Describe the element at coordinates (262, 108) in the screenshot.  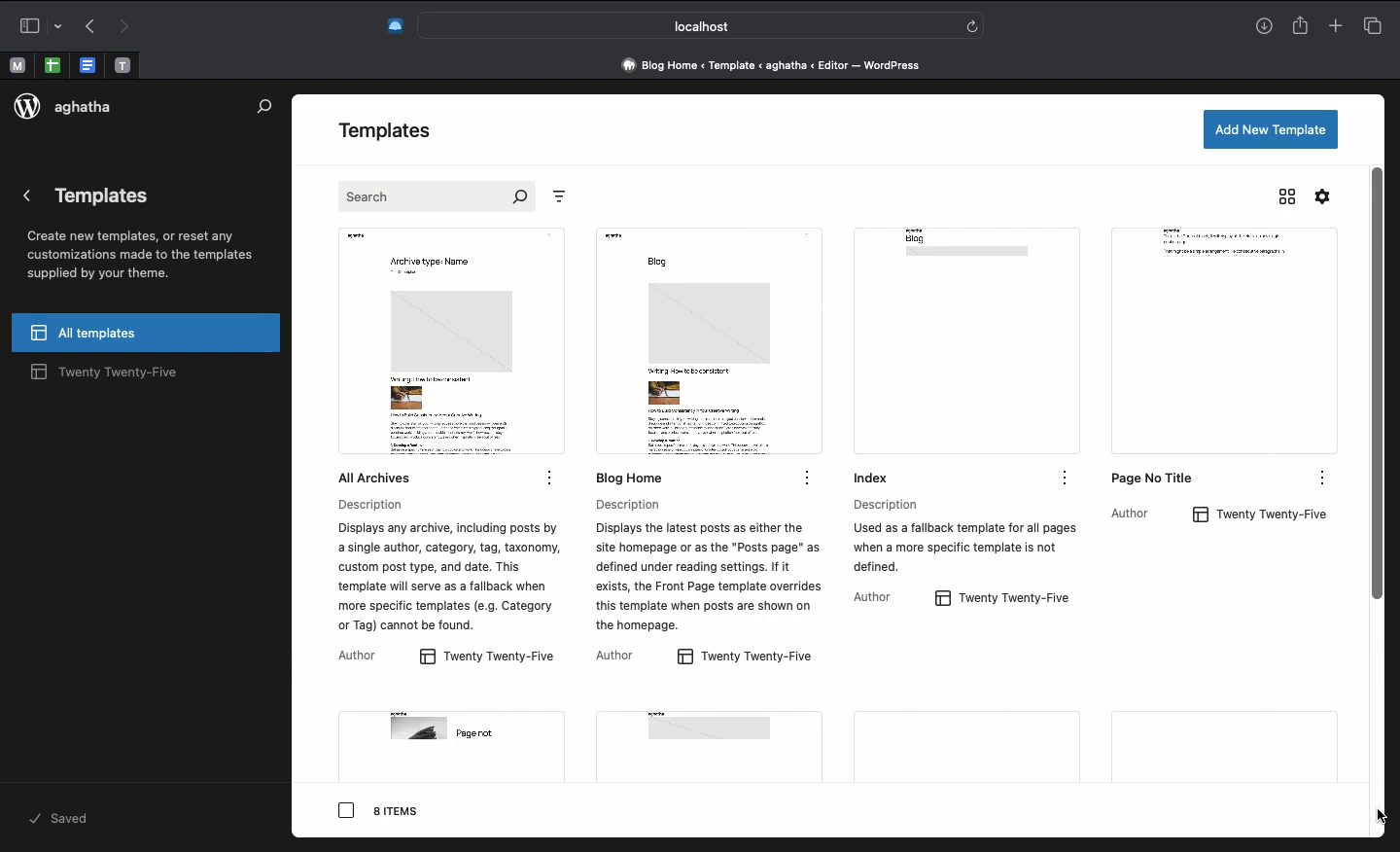
I see `Search` at that location.